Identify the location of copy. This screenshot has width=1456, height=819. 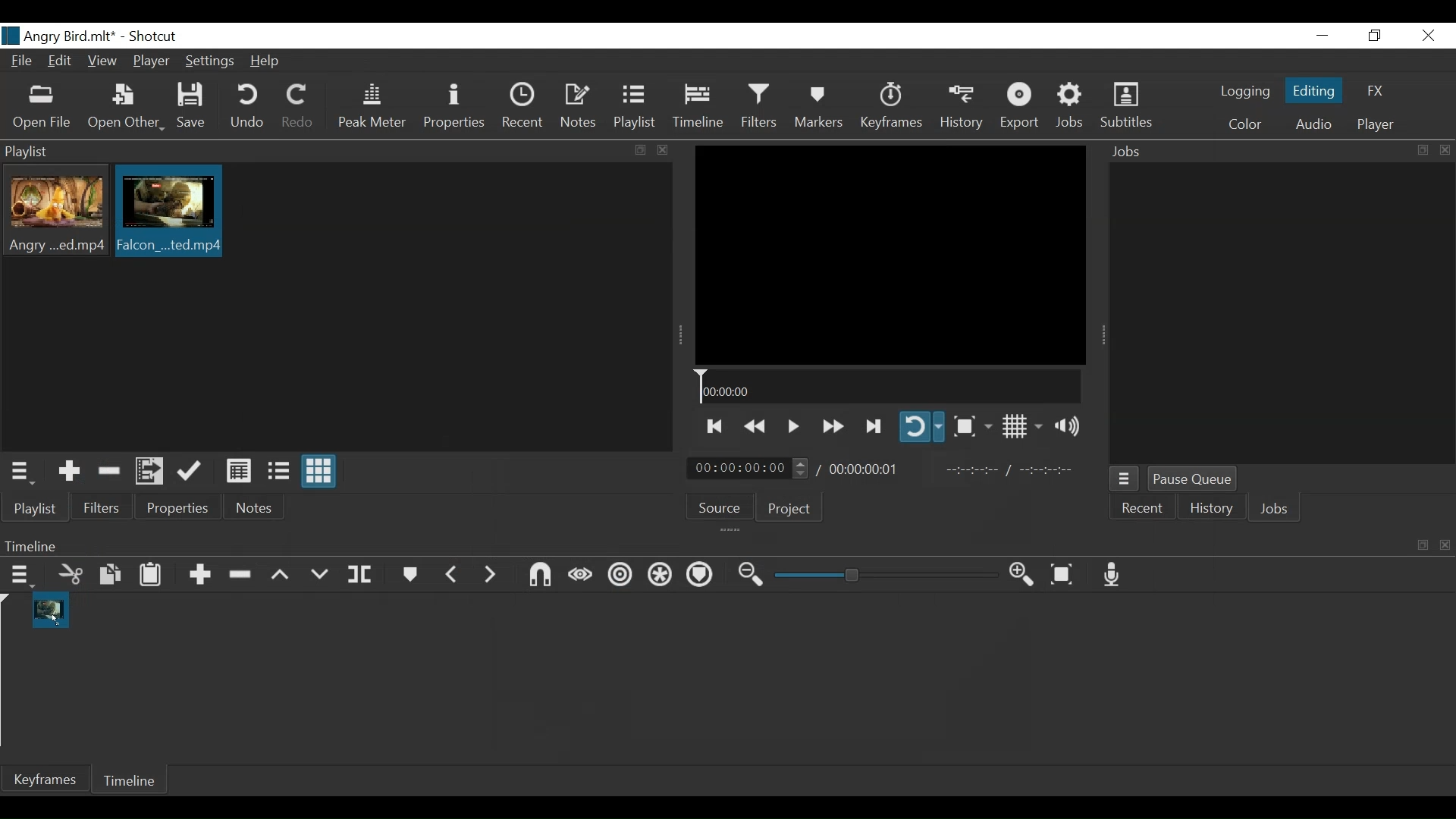
(642, 151).